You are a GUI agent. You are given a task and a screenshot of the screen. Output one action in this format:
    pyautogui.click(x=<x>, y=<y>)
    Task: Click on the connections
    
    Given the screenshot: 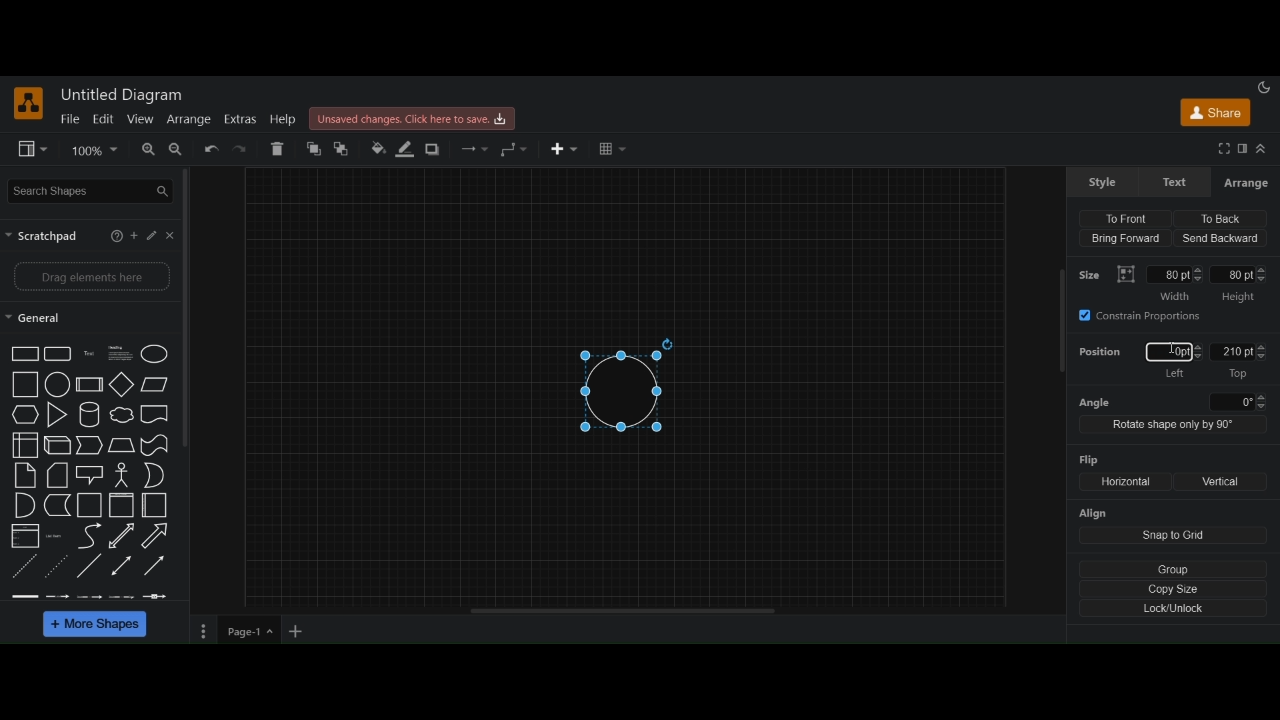 What is the action you would take?
    pyautogui.click(x=473, y=149)
    